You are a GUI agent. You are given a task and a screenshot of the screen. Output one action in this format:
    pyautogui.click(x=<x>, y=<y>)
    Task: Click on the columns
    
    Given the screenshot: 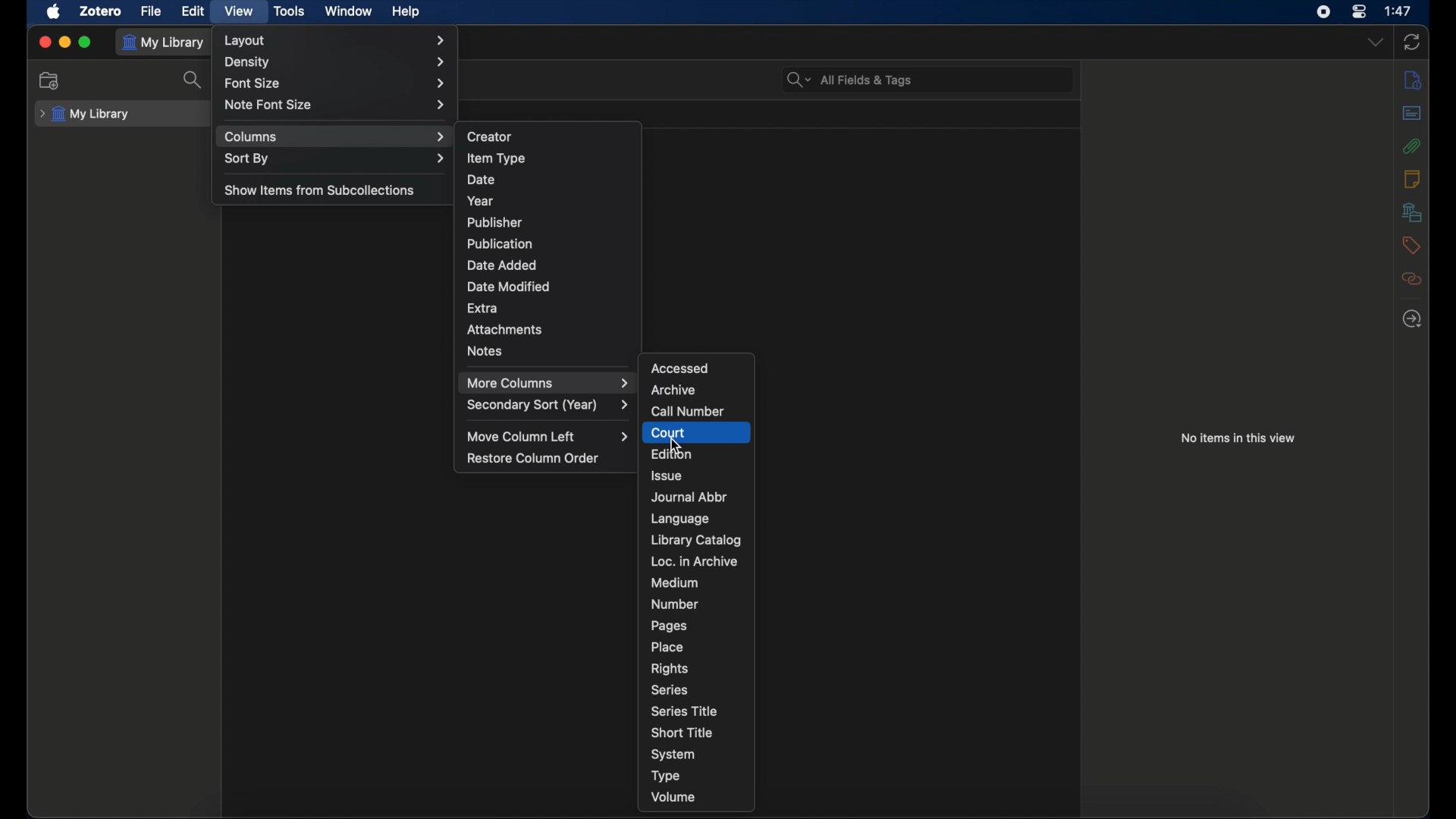 What is the action you would take?
    pyautogui.click(x=336, y=137)
    